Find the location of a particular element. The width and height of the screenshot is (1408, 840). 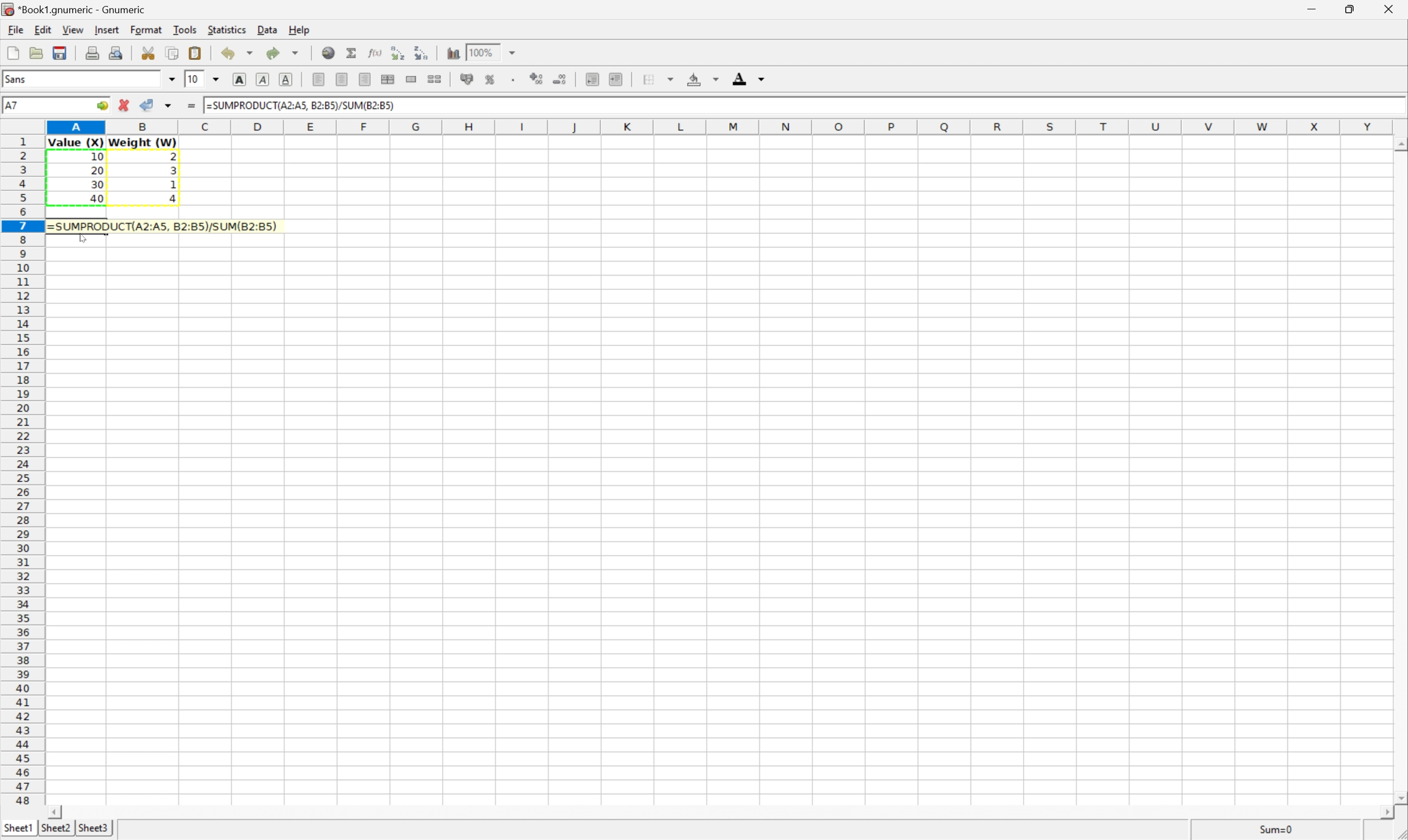

Center horizontally is located at coordinates (343, 80).